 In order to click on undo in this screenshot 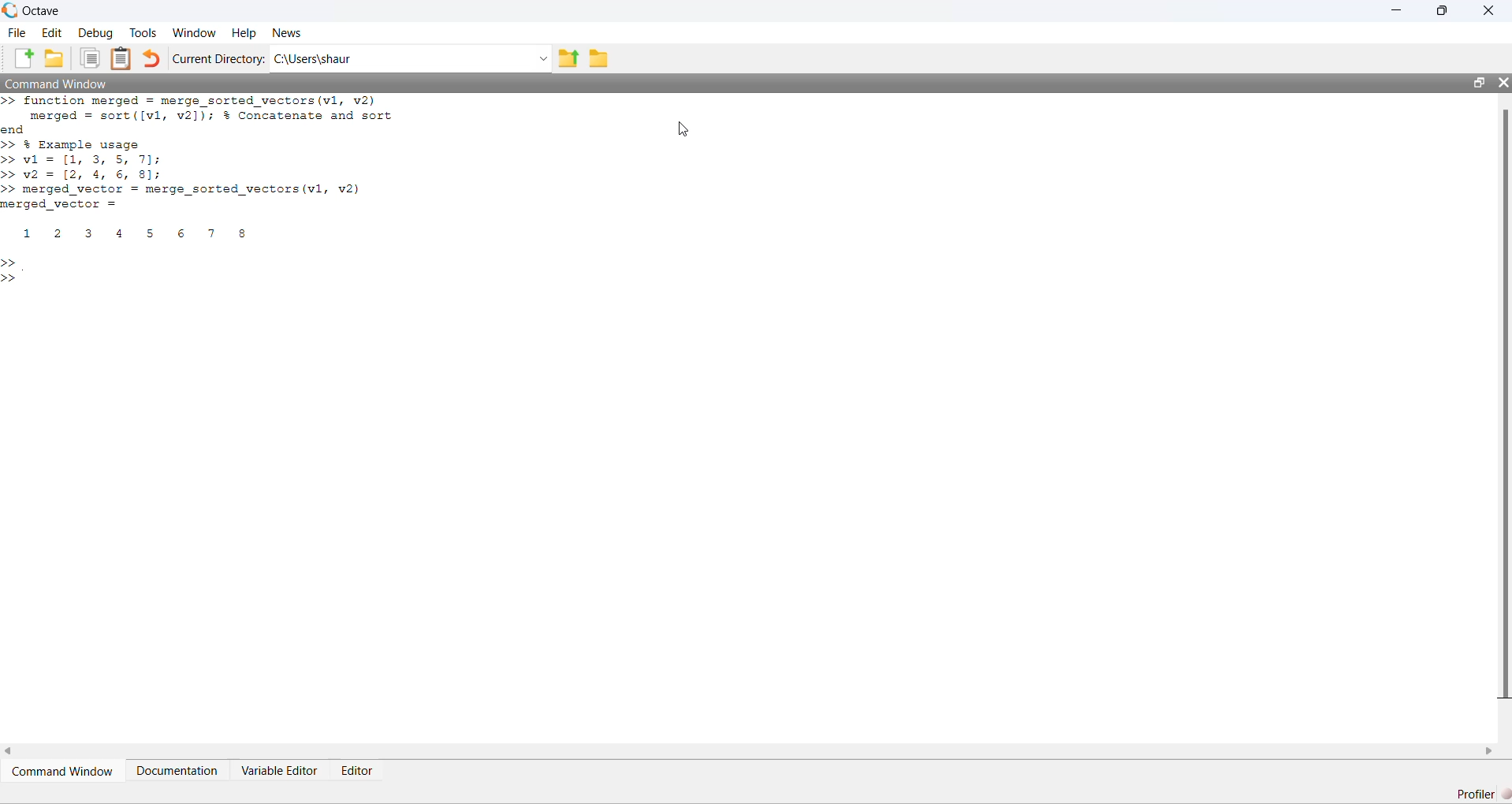, I will do `click(151, 58)`.